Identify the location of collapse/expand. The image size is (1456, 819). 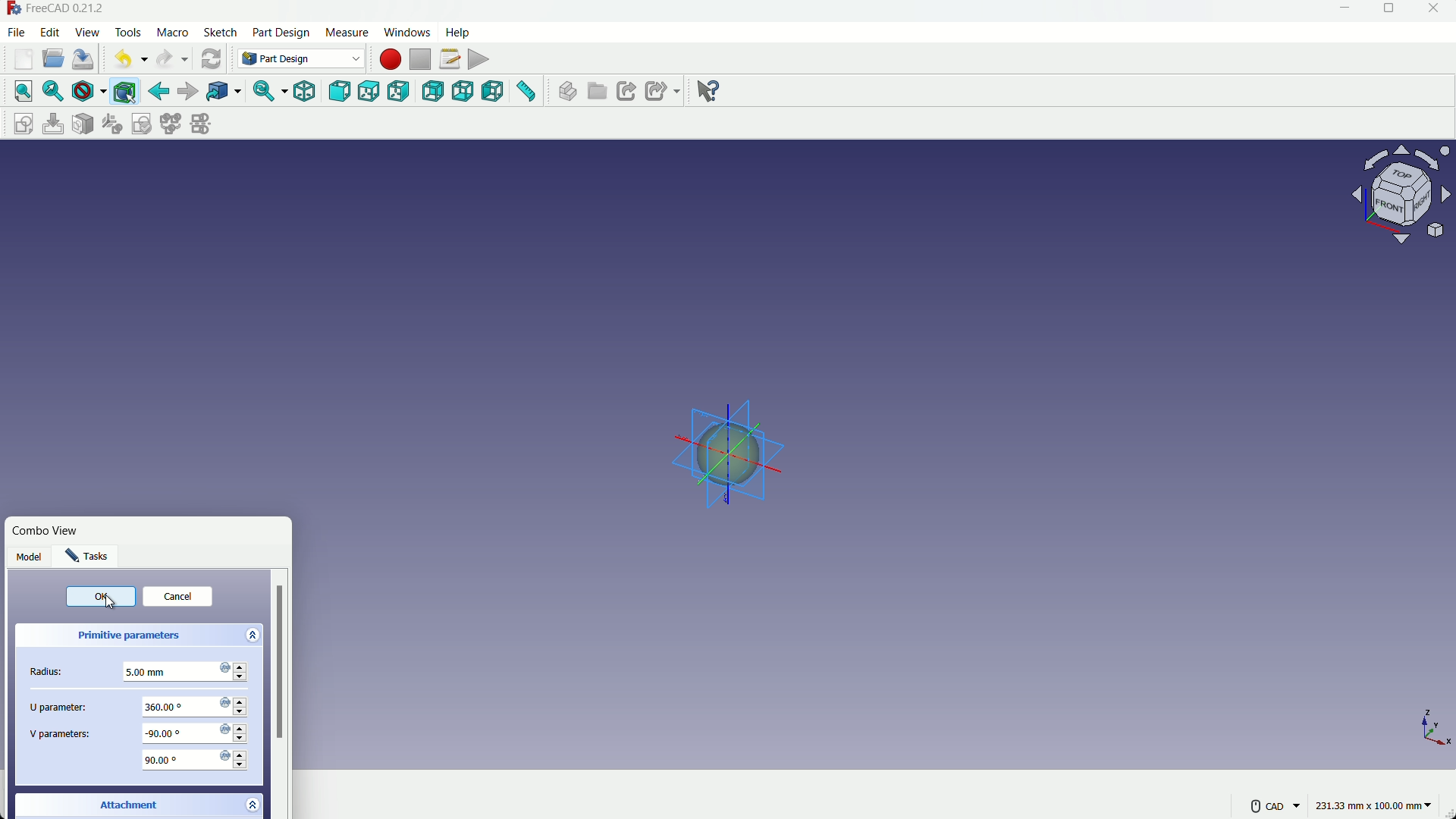
(251, 634).